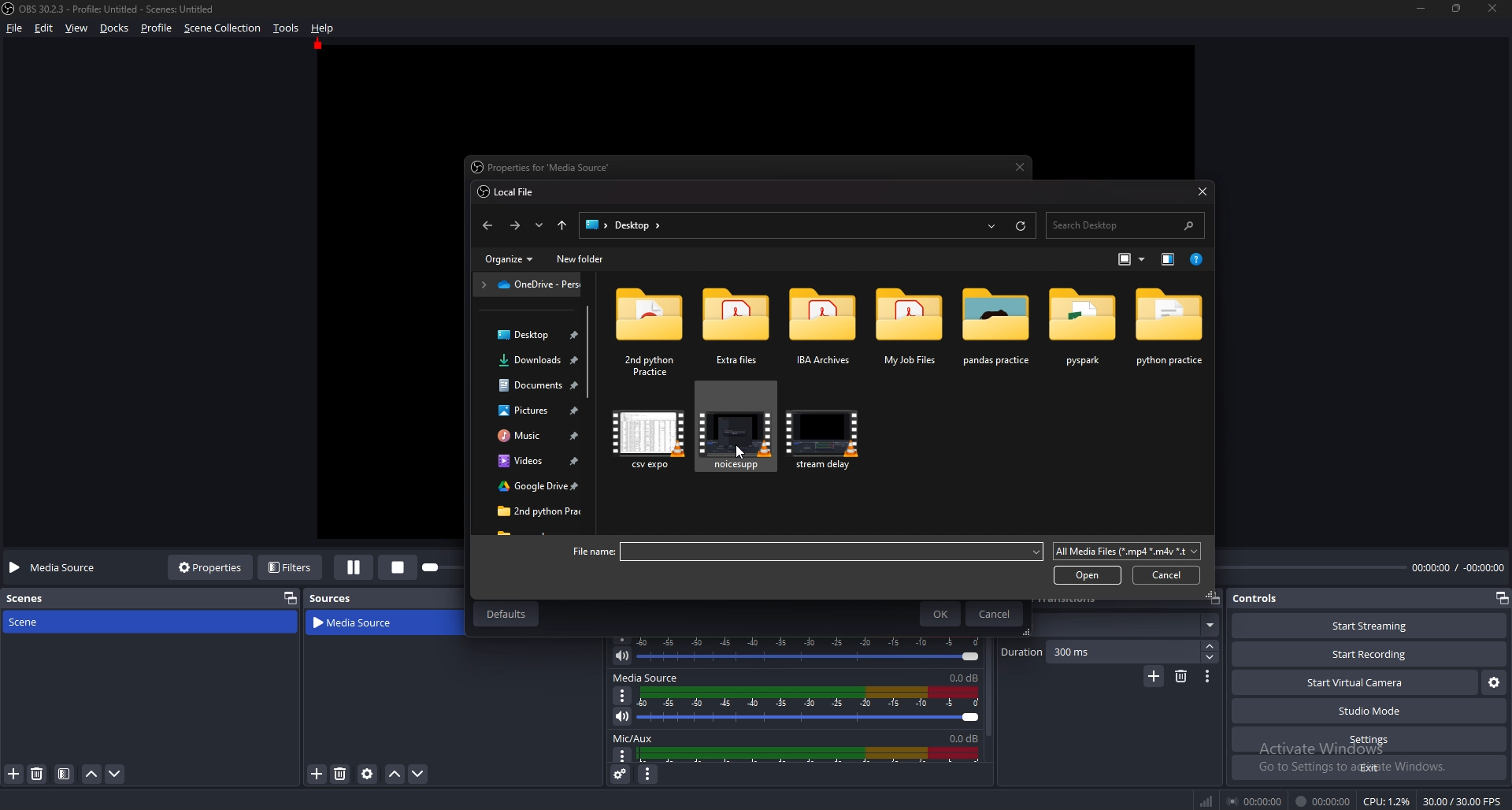 The image size is (1512, 810). What do you see at coordinates (992, 226) in the screenshot?
I see `recent` at bounding box center [992, 226].